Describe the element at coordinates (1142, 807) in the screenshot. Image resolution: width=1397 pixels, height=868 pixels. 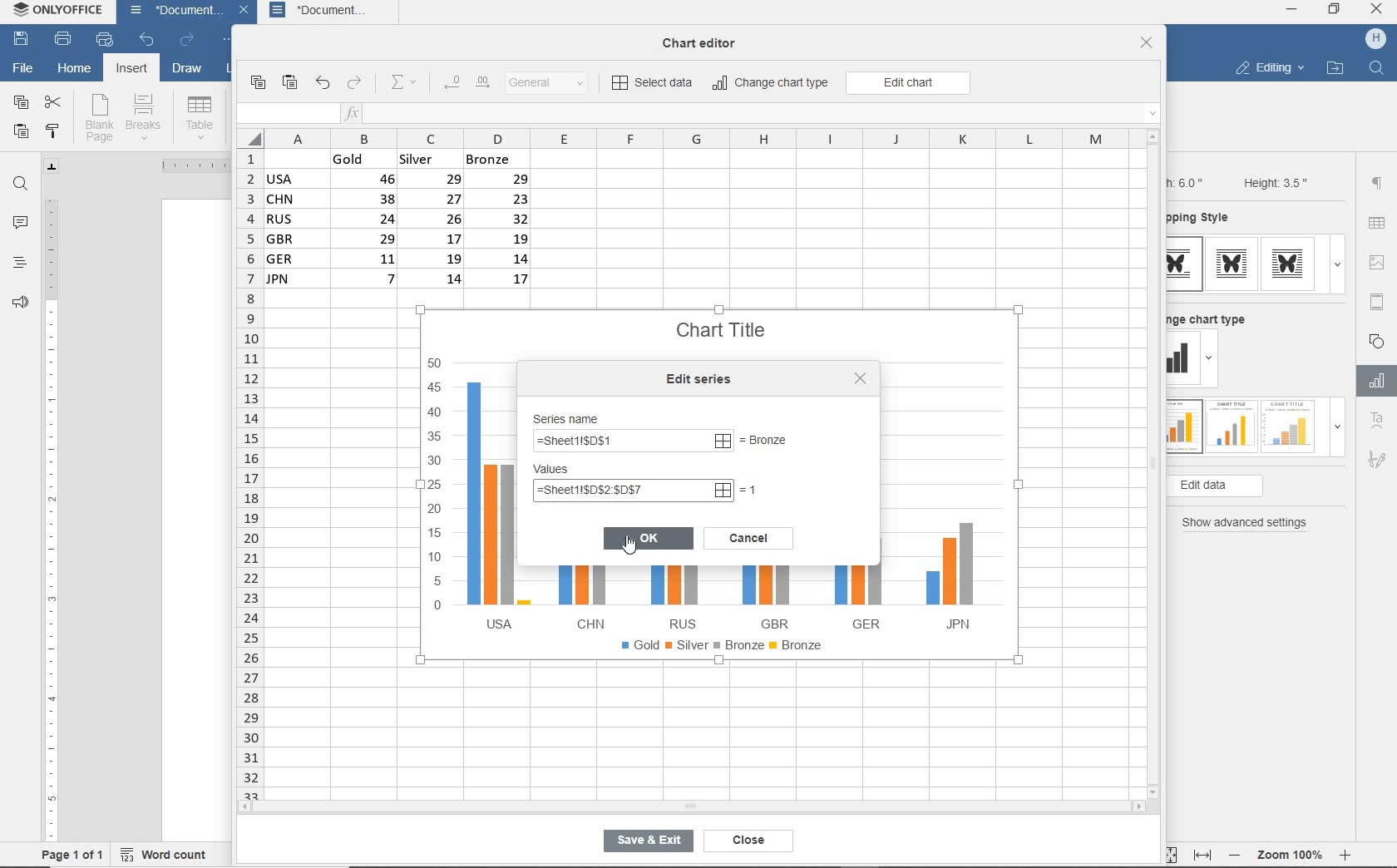
I see `scroll right` at that location.